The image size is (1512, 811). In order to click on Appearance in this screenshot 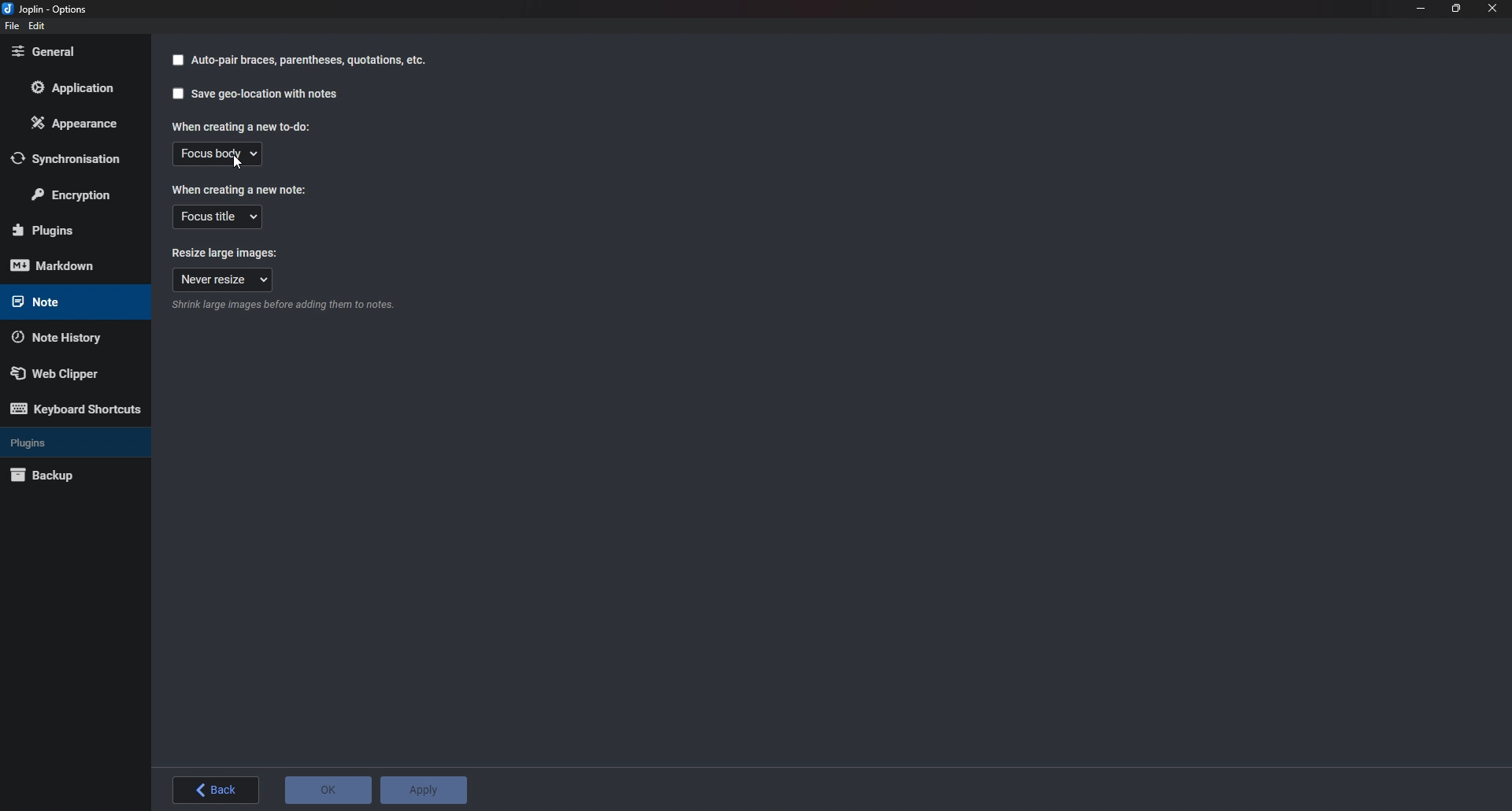, I will do `click(77, 123)`.